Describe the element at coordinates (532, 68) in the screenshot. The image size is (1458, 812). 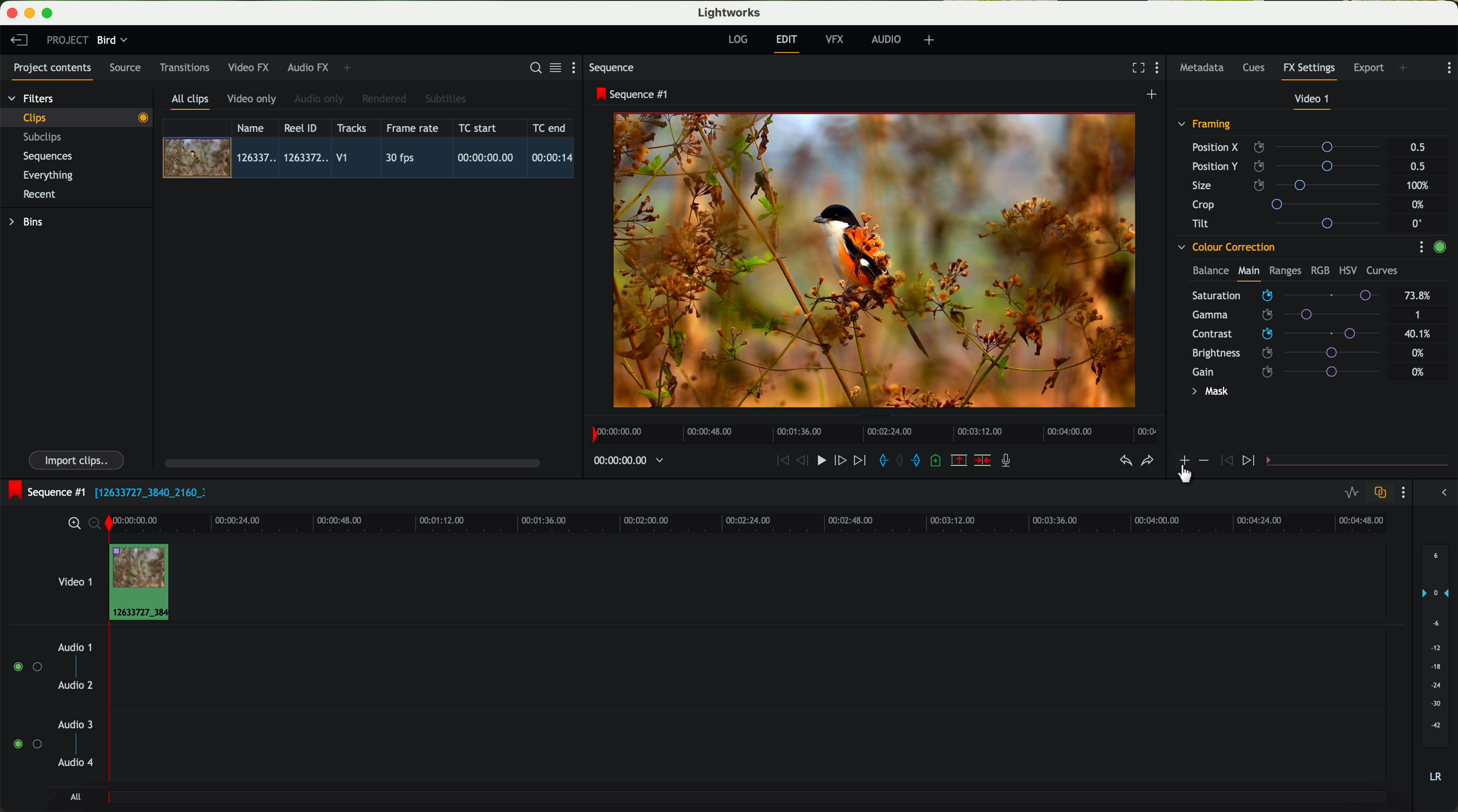
I see `search for assets or bins` at that location.